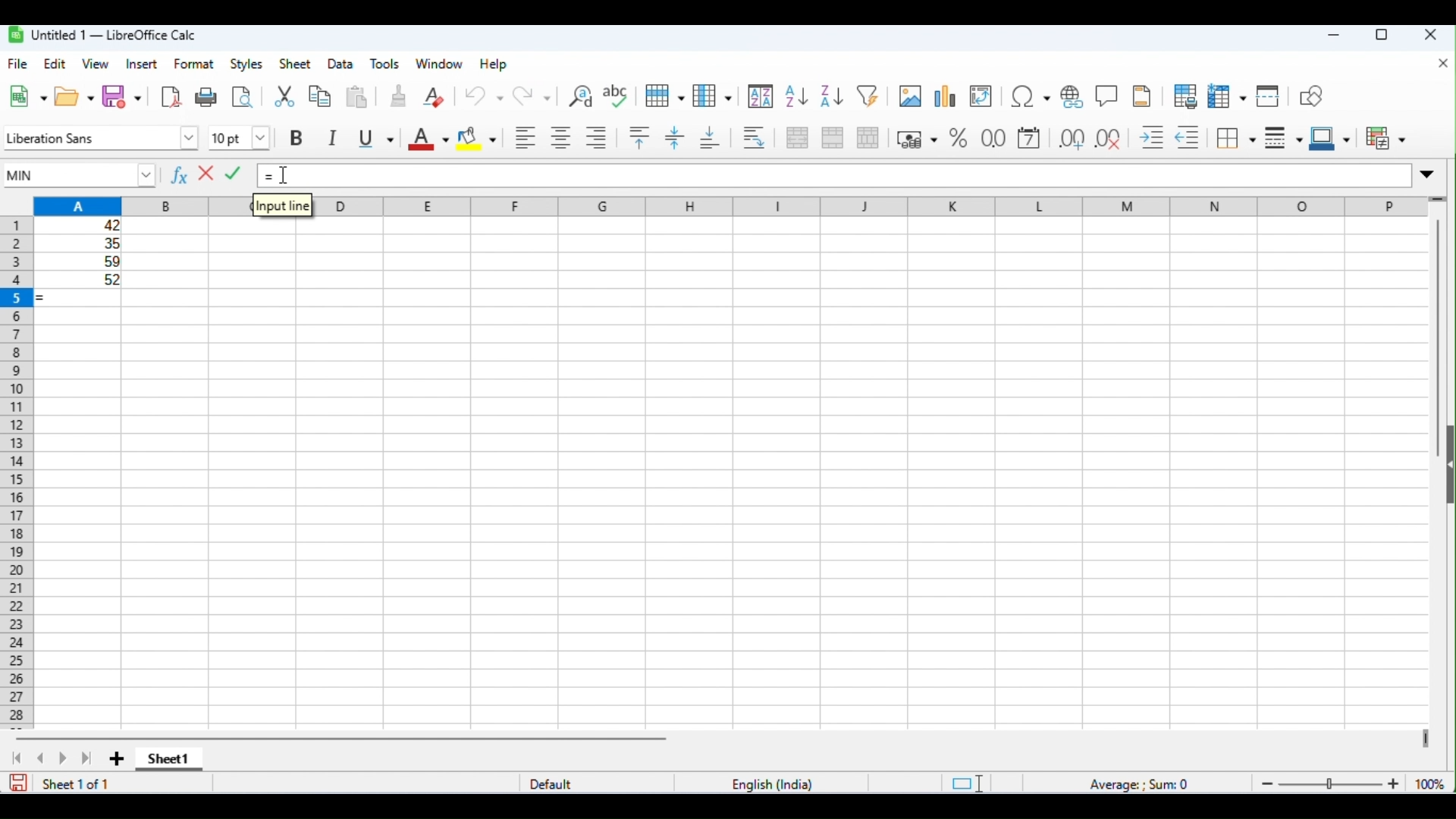 The height and width of the screenshot is (819, 1456). What do you see at coordinates (205, 97) in the screenshot?
I see `print` at bounding box center [205, 97].